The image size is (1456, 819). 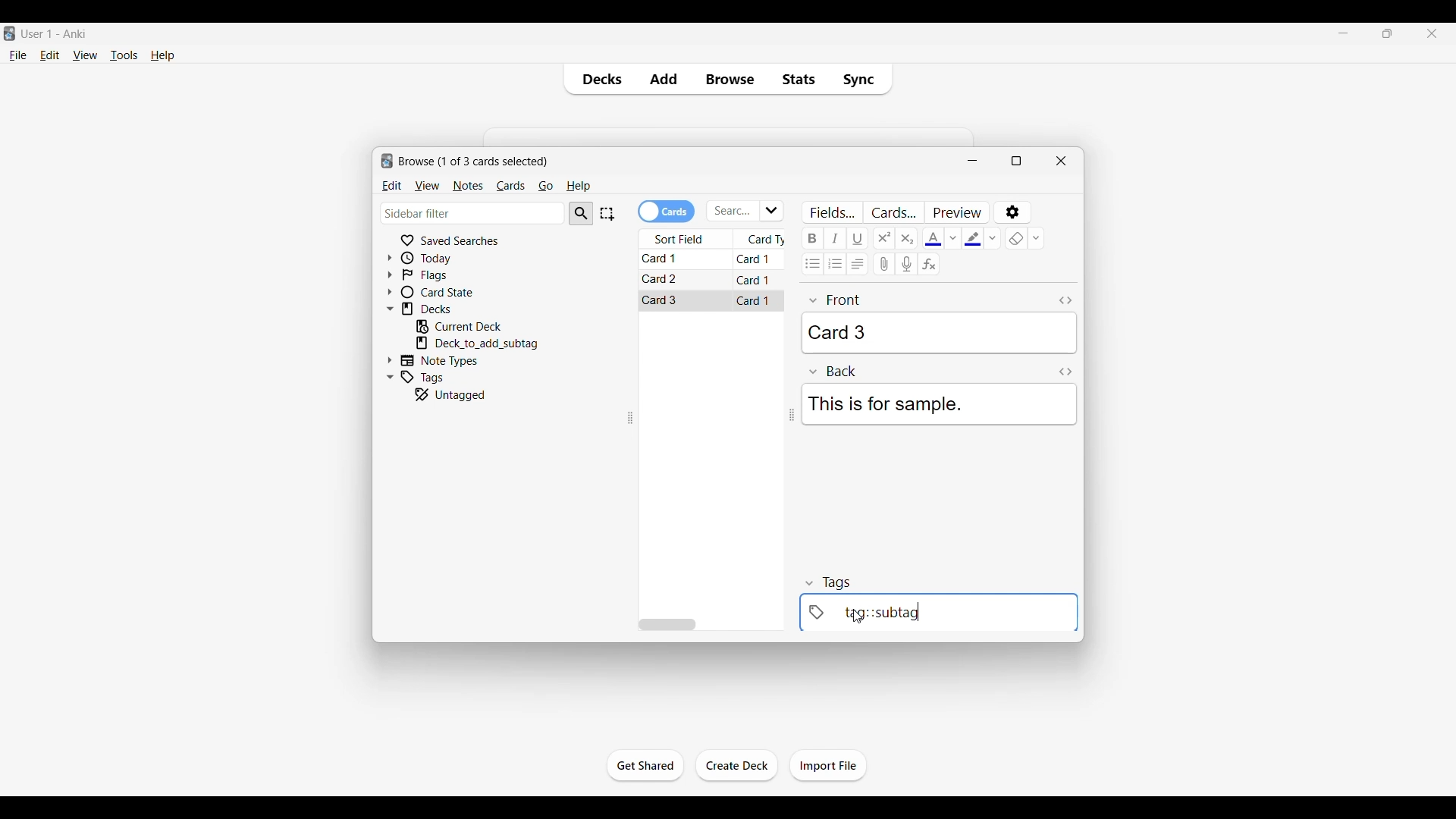 I want to click on Help menu, so click(x=162, y=55).